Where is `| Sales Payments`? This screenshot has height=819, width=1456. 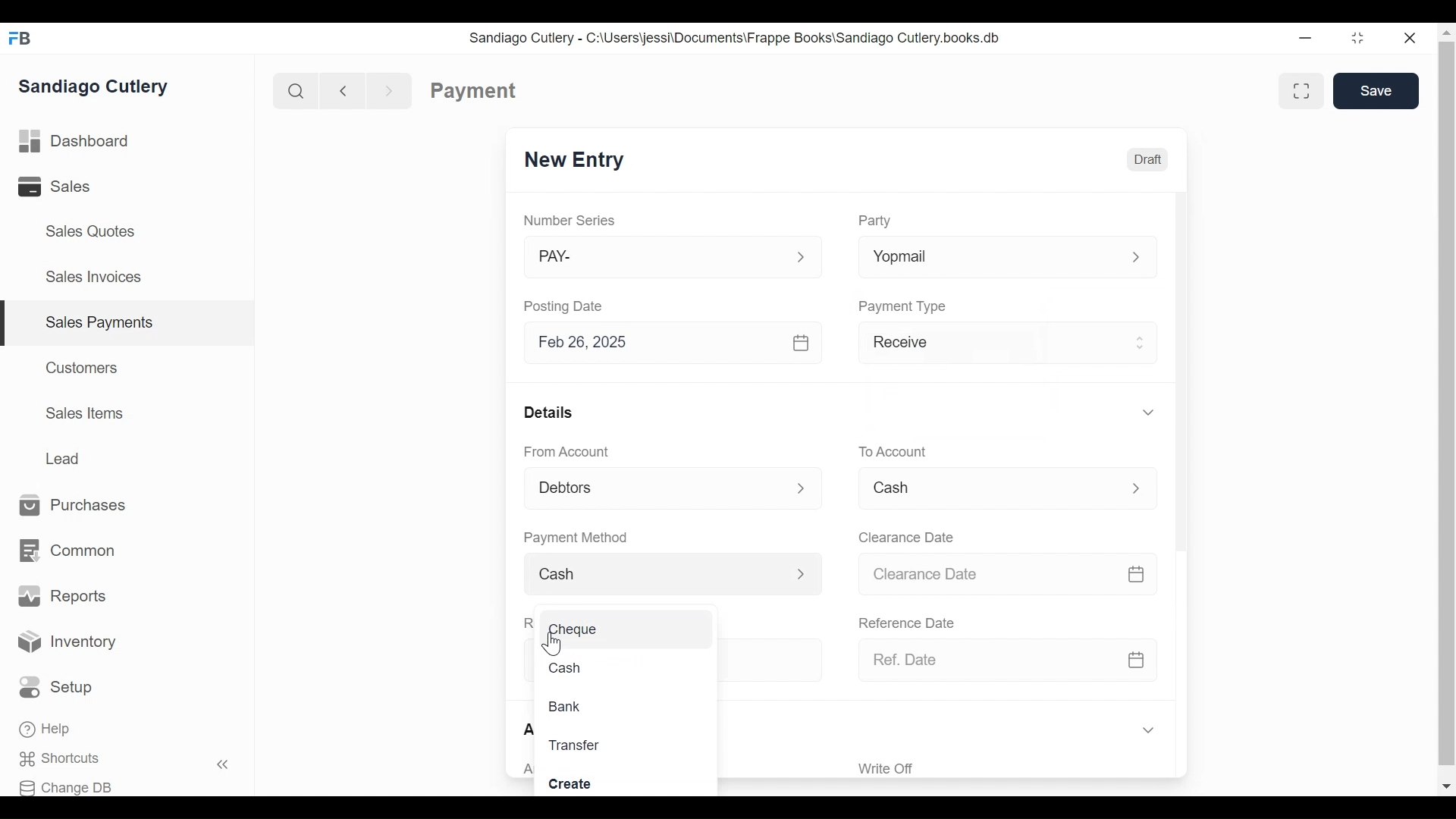
| Sales Payments is located at coordinates (129, 324).